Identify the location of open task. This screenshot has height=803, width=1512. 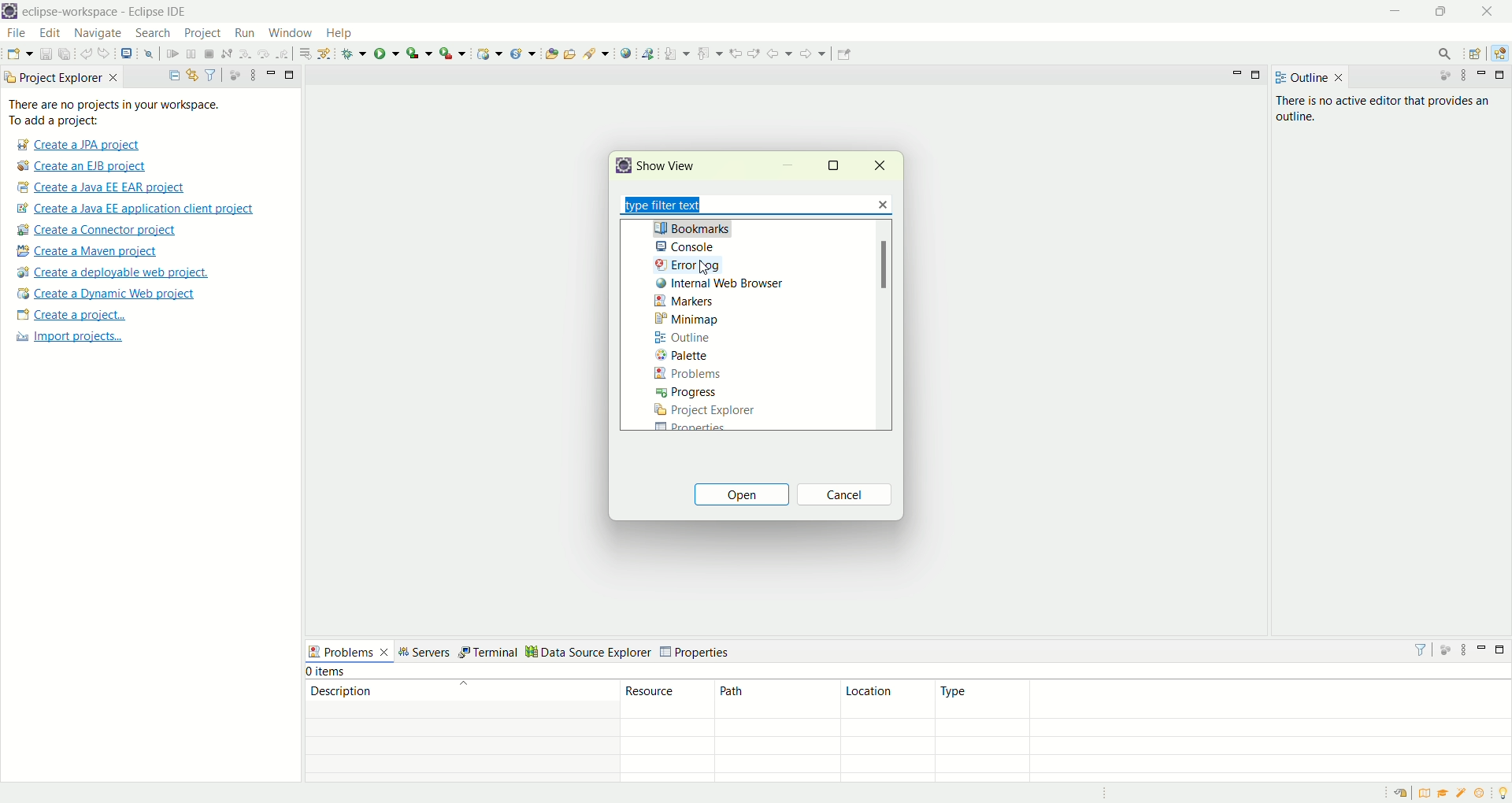
(570, 54).